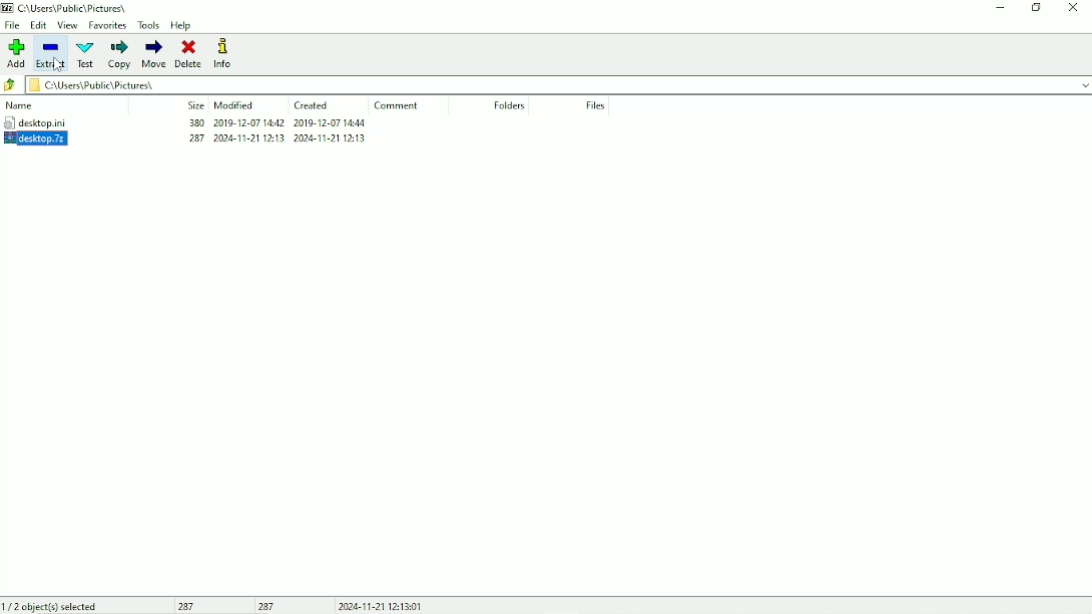 The width and height of the screenshot is (1092, 614). I want to click on § CAUsers\Fublic\ Pictures|, so click(548, 85).